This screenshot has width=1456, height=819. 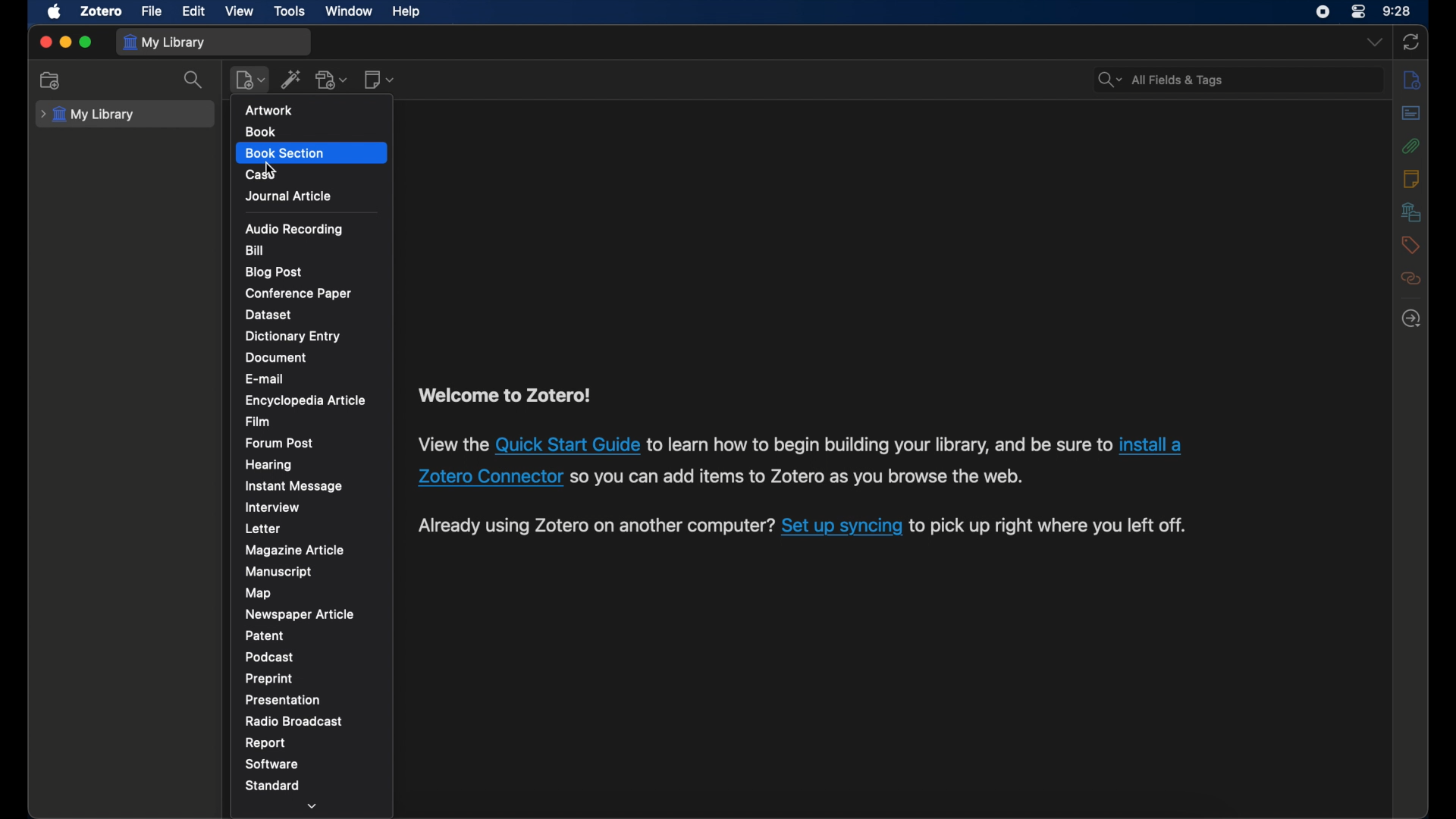 I want to click on standard, so click(x=273, y=785).